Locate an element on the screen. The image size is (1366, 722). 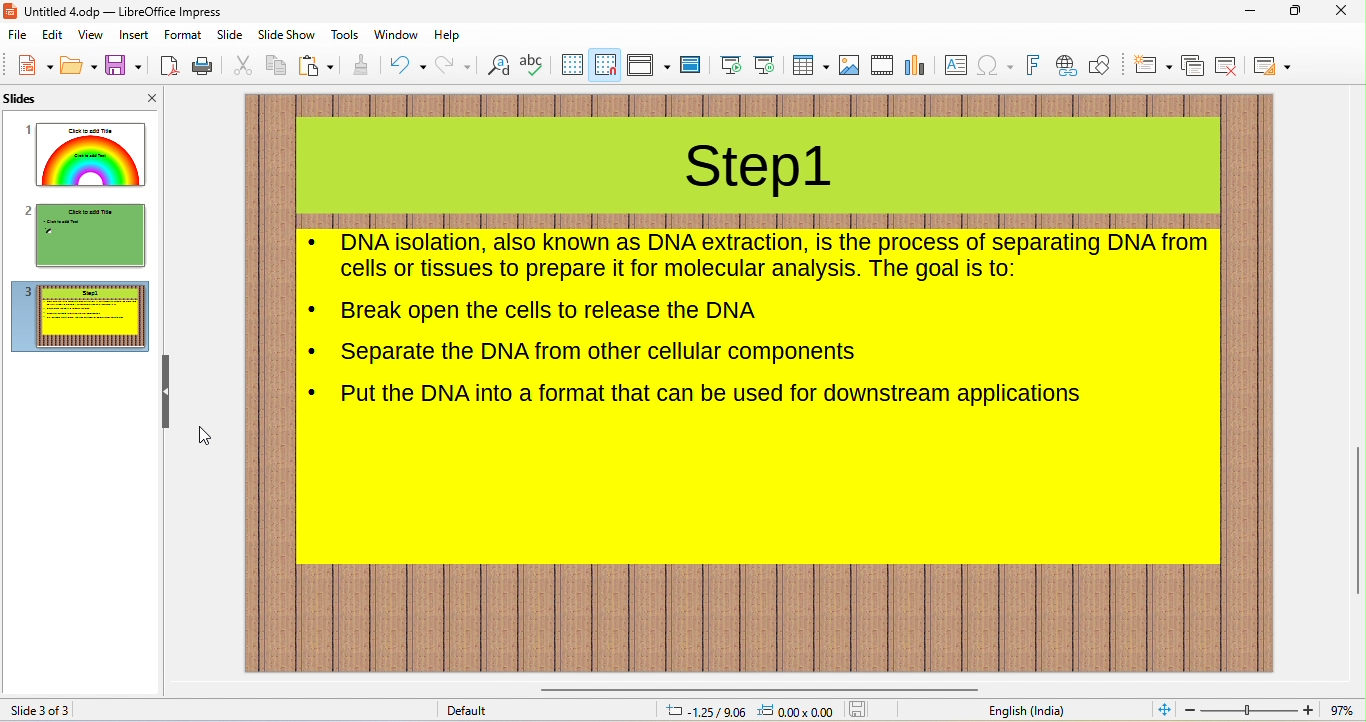
cursor and object position is located at coordinates (747, 711).